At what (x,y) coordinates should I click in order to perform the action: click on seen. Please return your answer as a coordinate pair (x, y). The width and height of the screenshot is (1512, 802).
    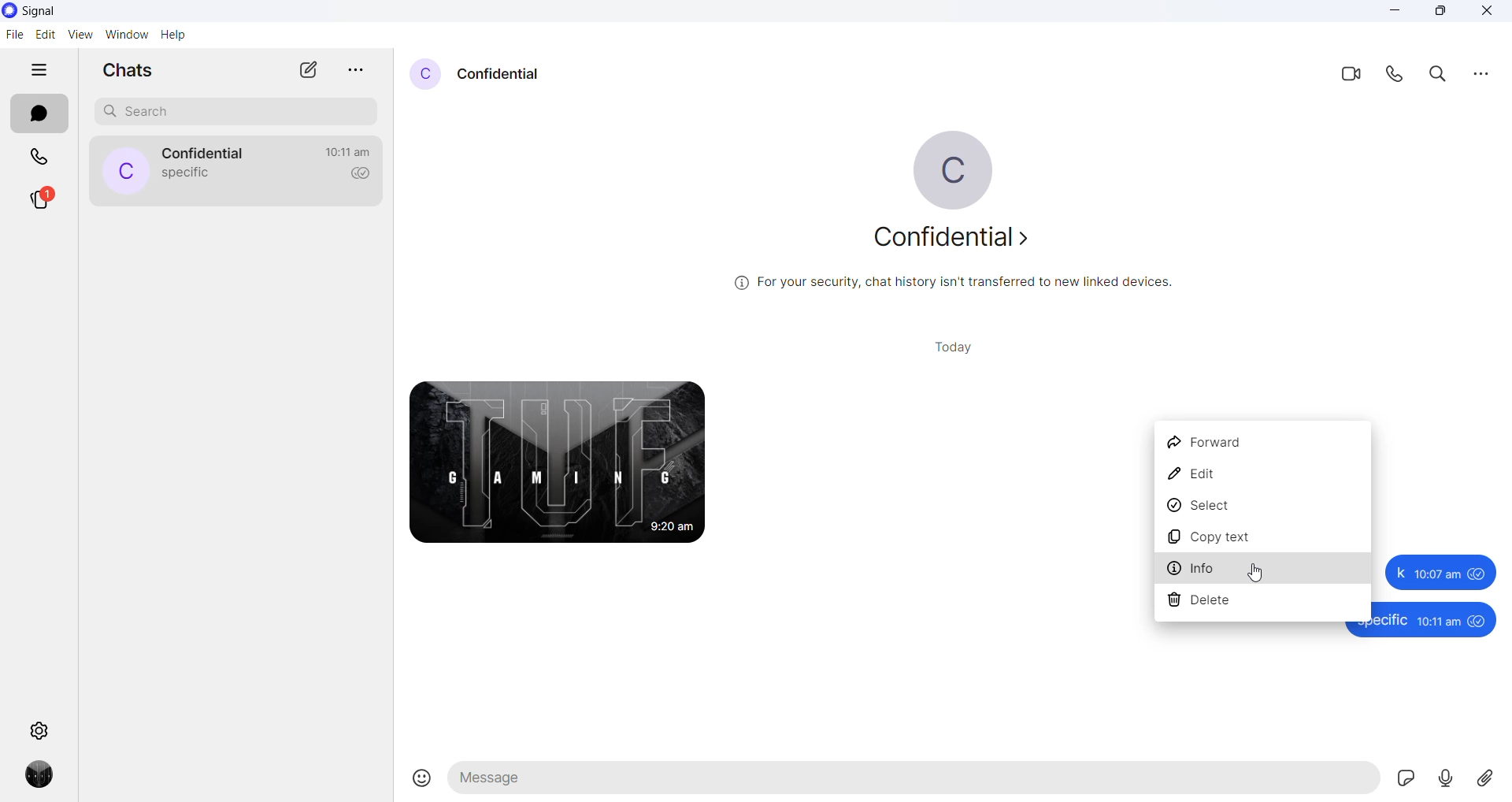
    Looking at the image, I should click on (1479, 574).